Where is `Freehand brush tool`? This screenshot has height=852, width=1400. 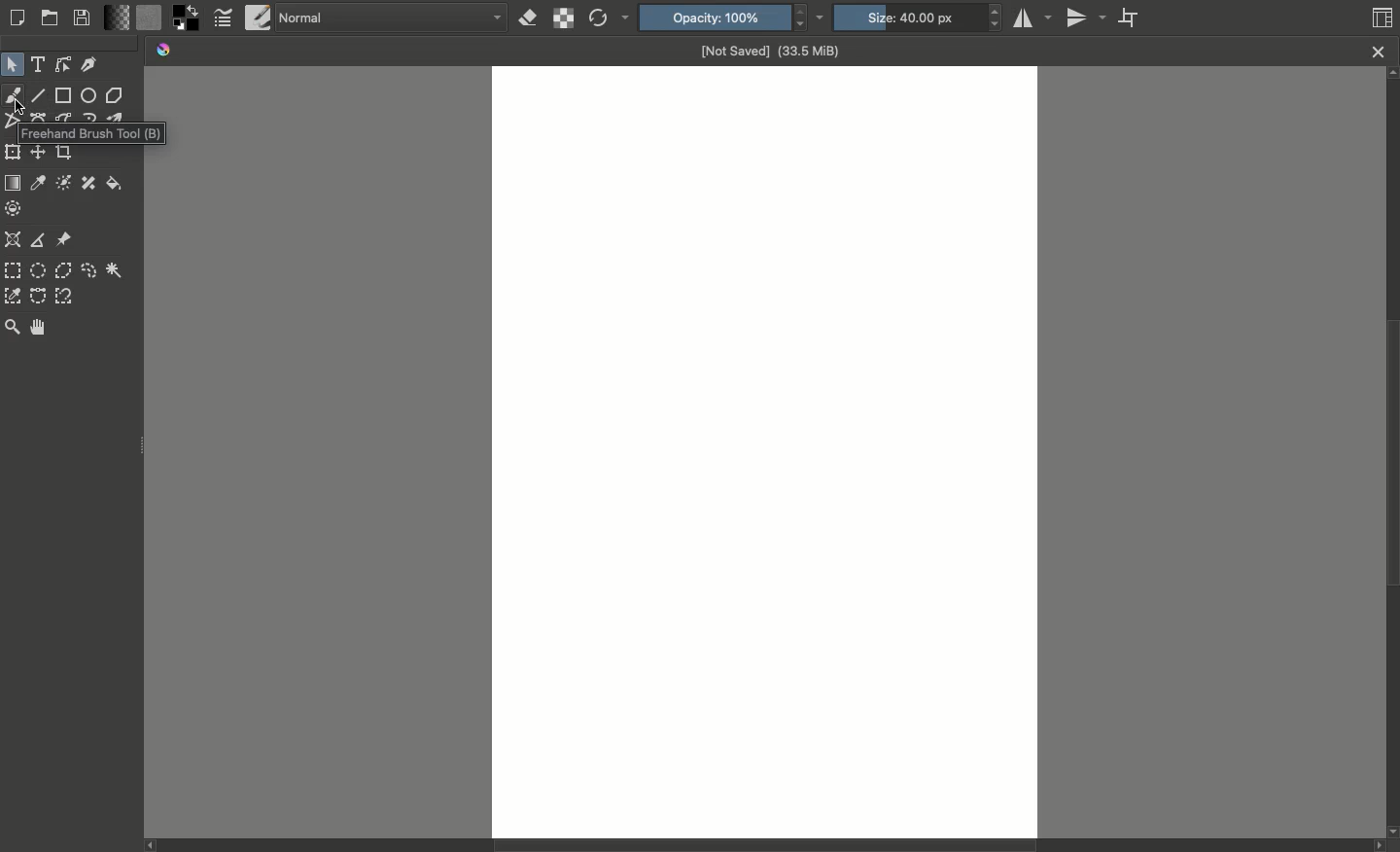
Freehand brush tool is located at coordinates (15, 95).